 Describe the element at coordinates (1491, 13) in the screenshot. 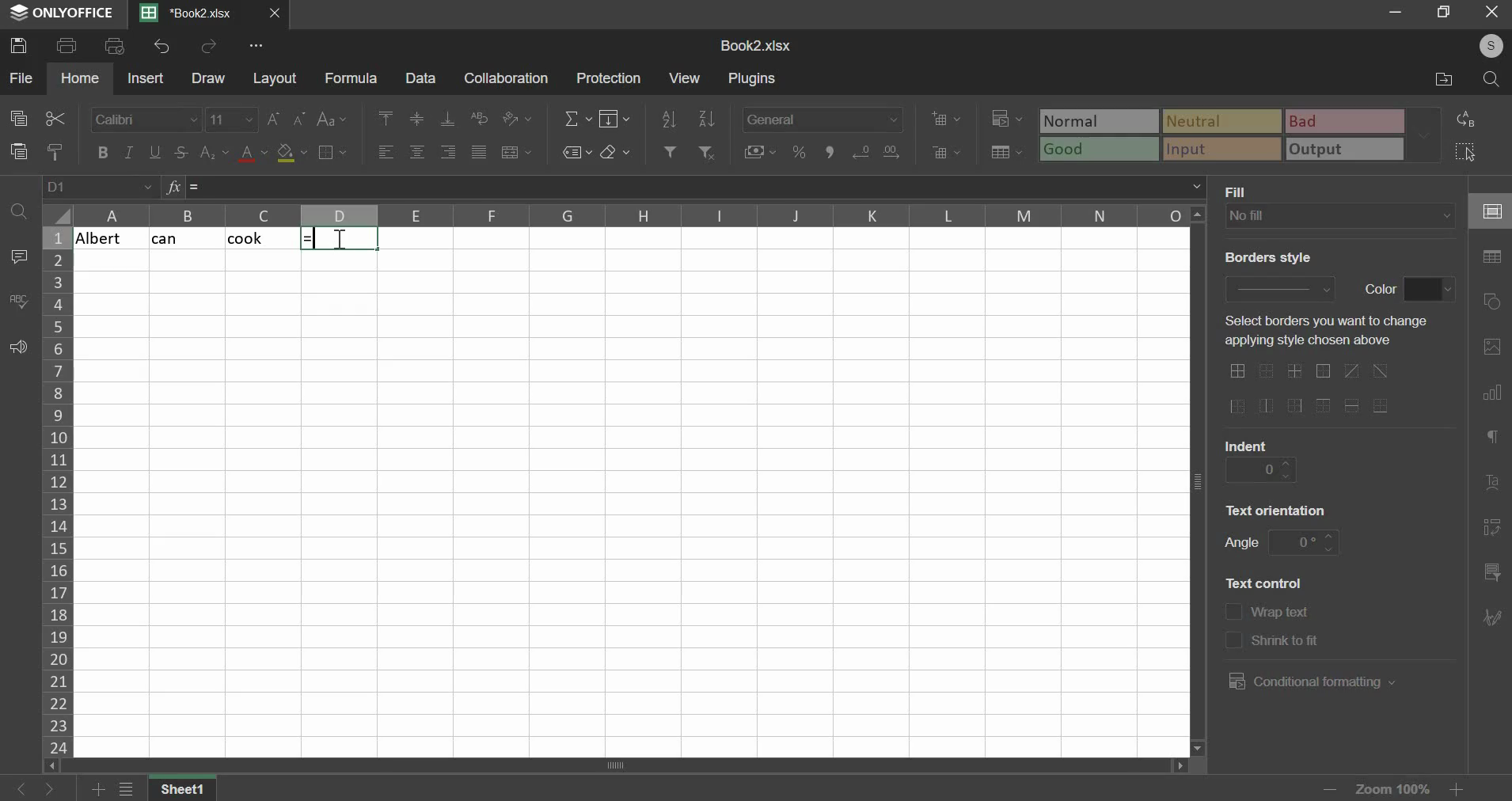

I see `close window` at that location.